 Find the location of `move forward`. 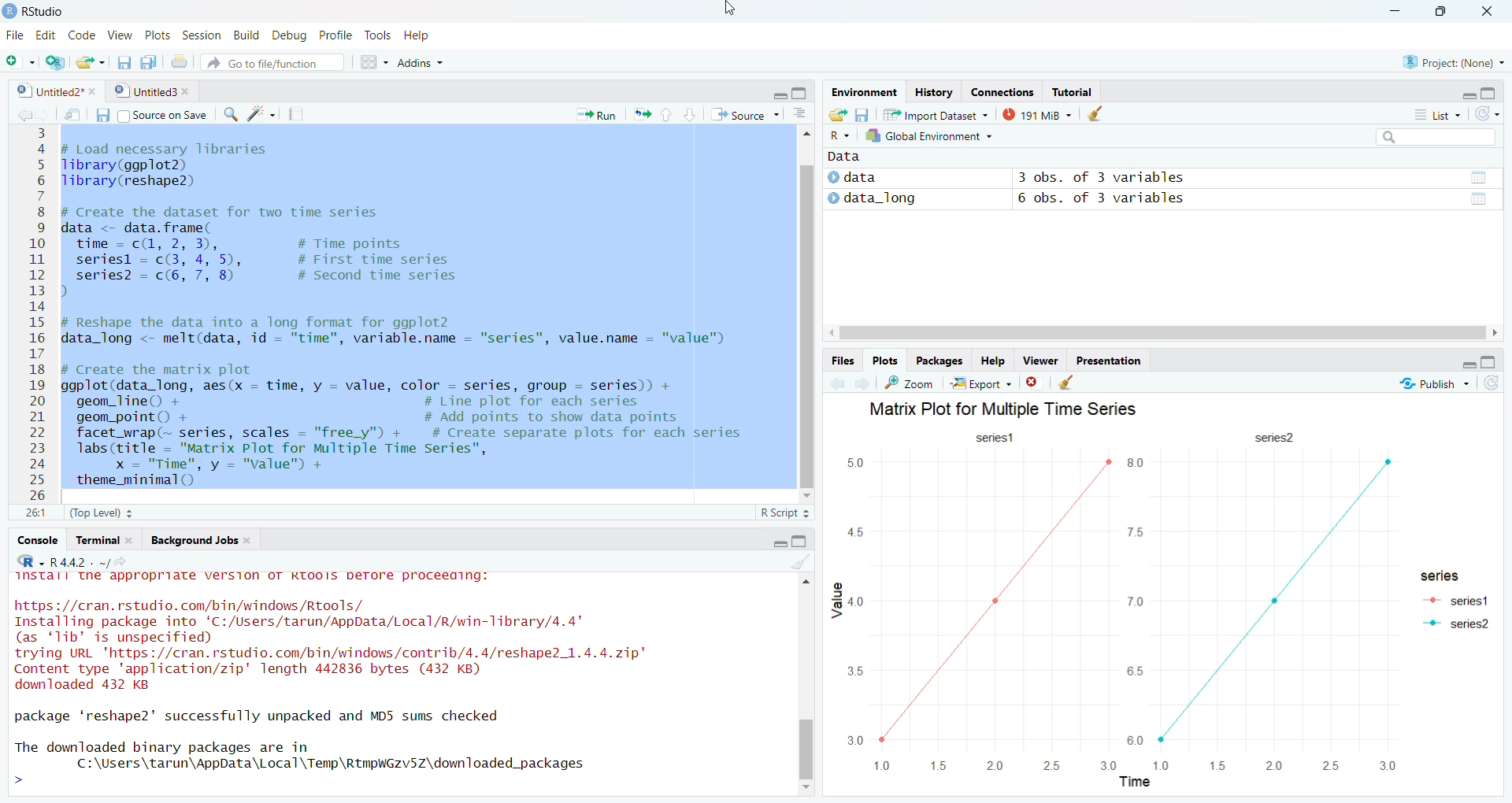

move forward is located at coordinates (45, 113).